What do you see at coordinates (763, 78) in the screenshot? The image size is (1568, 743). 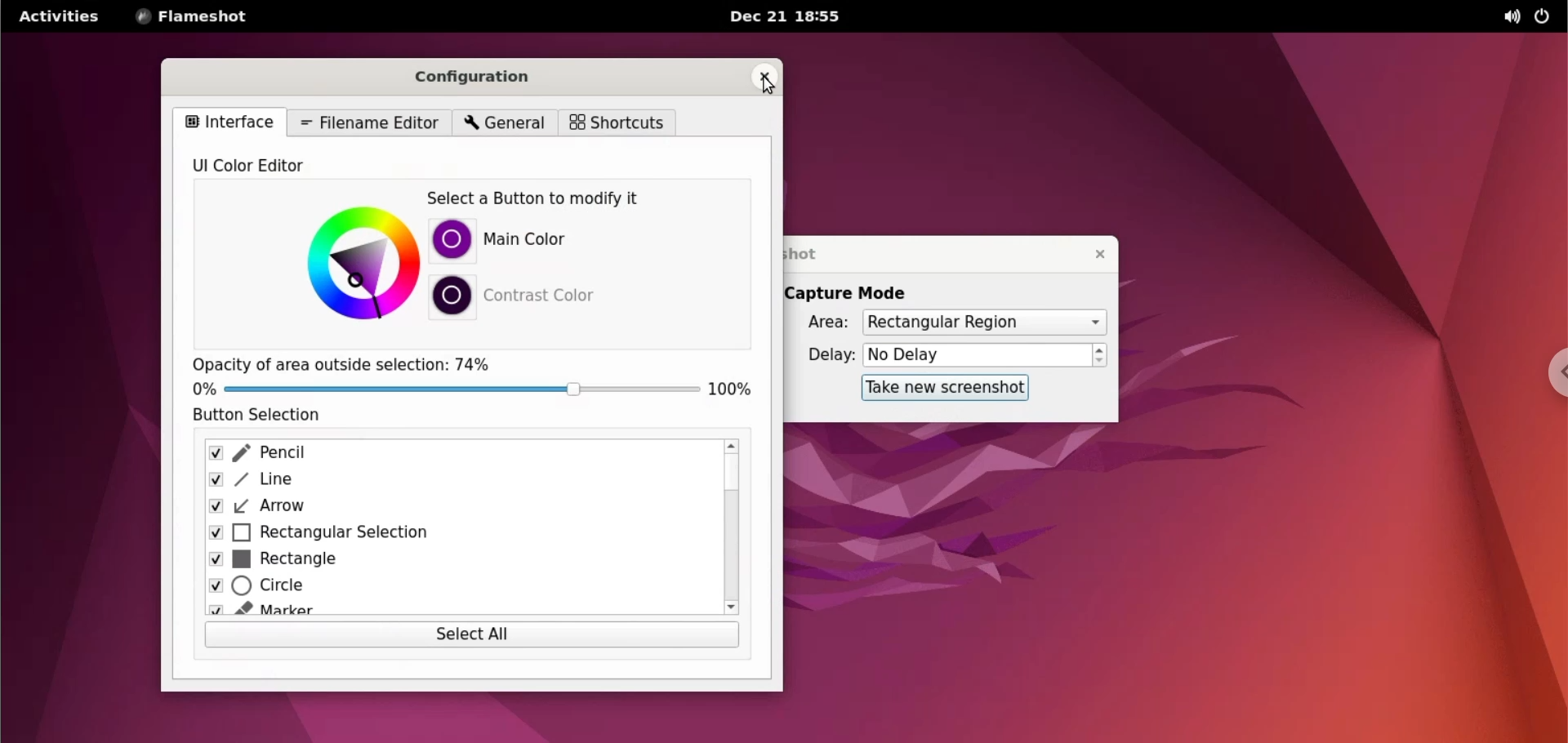 I see `close` at bounding box center [763, 78].